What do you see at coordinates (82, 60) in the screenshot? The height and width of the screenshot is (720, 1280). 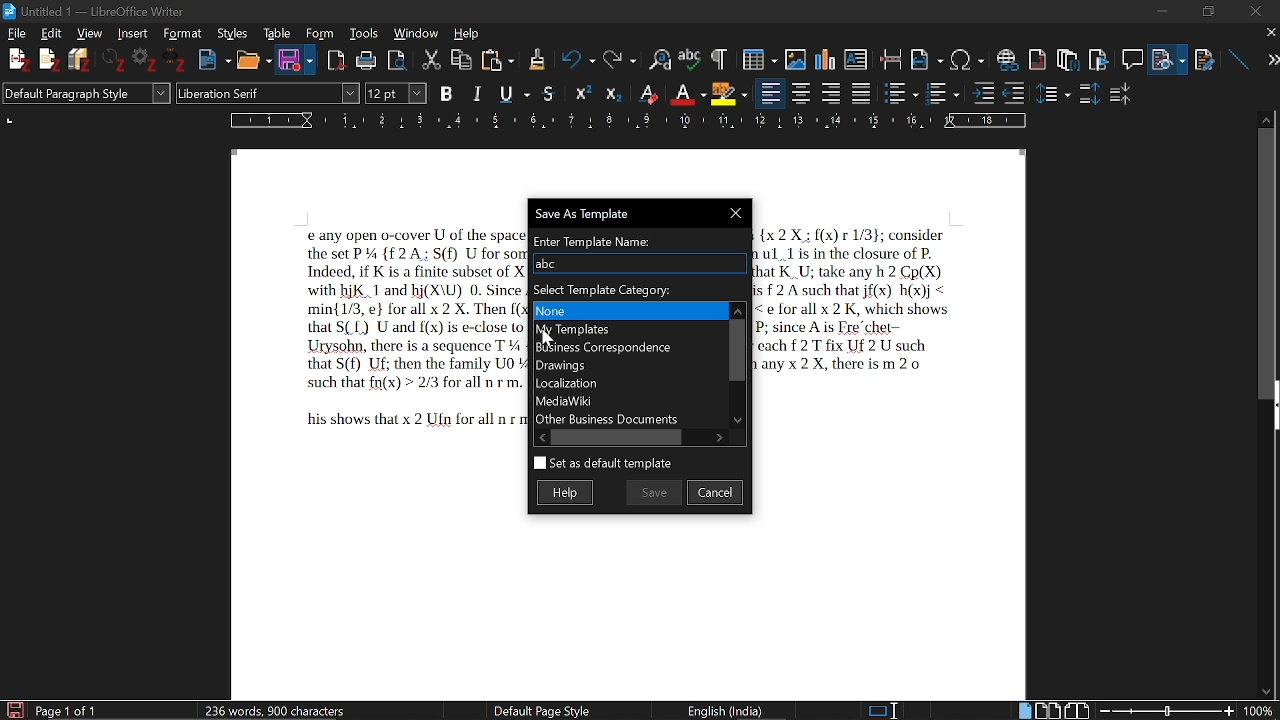 I see `Save Files` at bounding box center [82, 60].